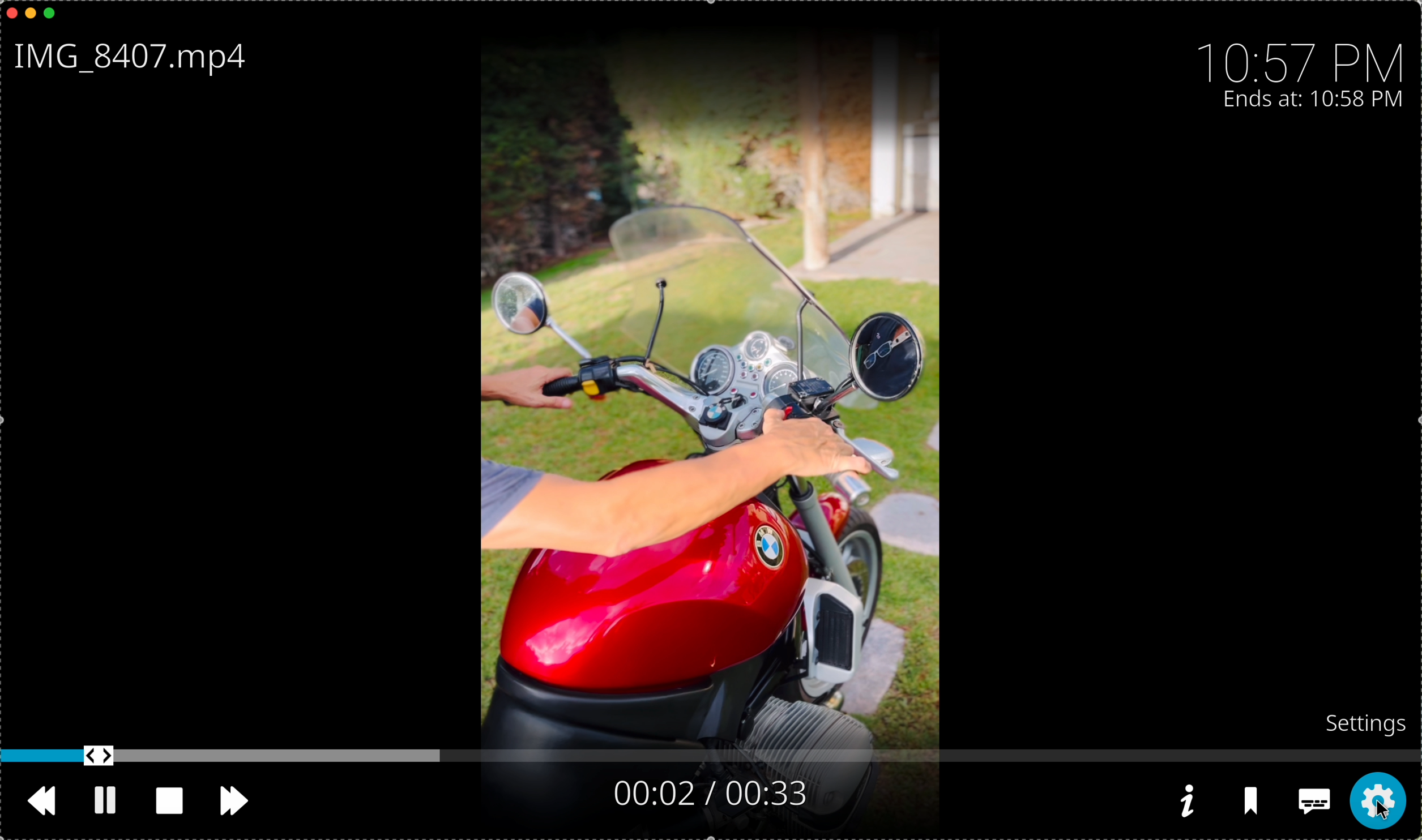 This screenshot has height=840, width=1422. What do you see at coordinates (9, 12) in the screenshot?
I see `close` at bounding box center [9, 12].